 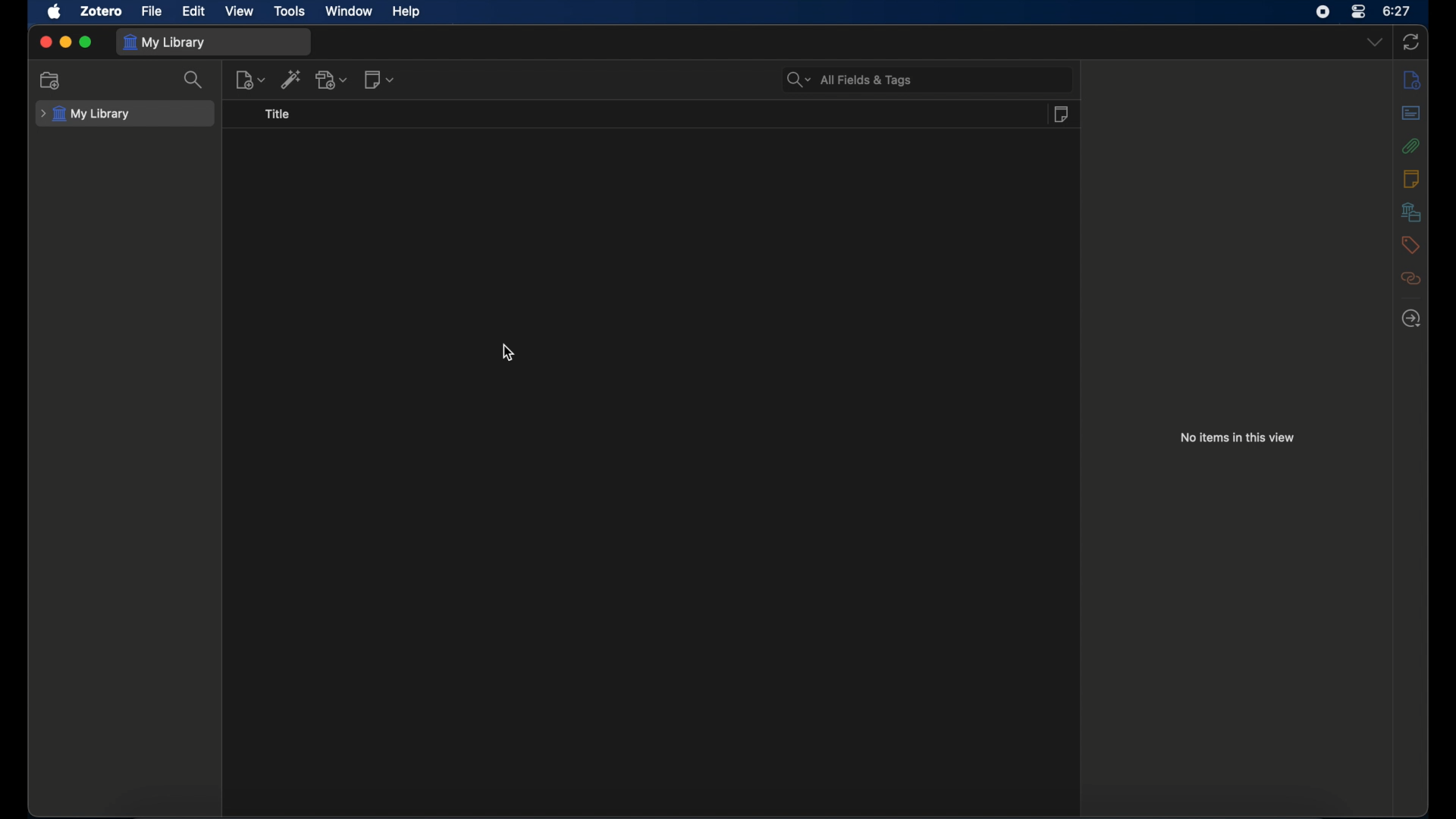 I want to click on notes, so click(x=1061, y=114).